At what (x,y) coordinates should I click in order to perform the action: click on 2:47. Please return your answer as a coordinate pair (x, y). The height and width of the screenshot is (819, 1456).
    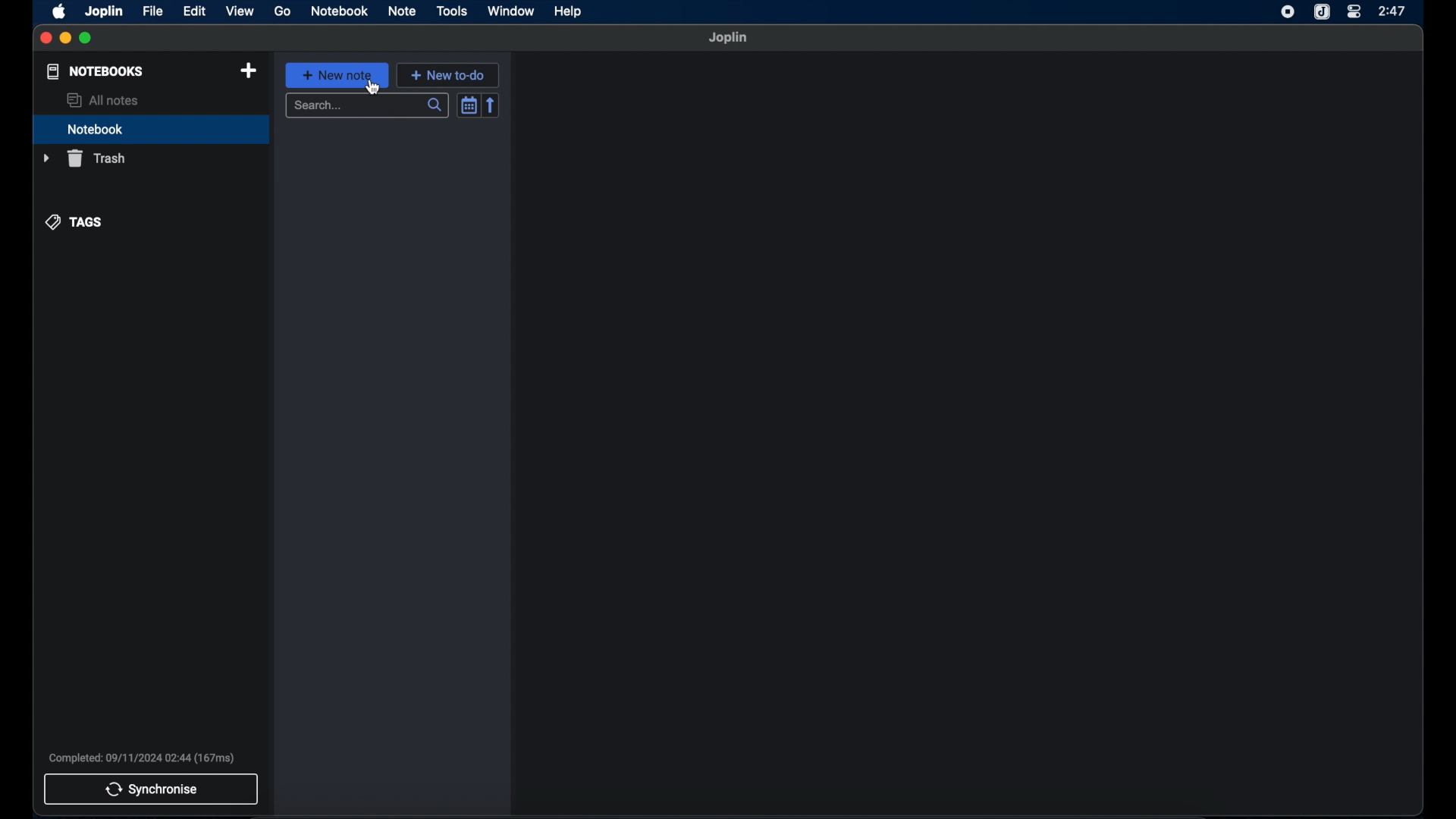
    Looking at the image, I should click on (1392, 11).